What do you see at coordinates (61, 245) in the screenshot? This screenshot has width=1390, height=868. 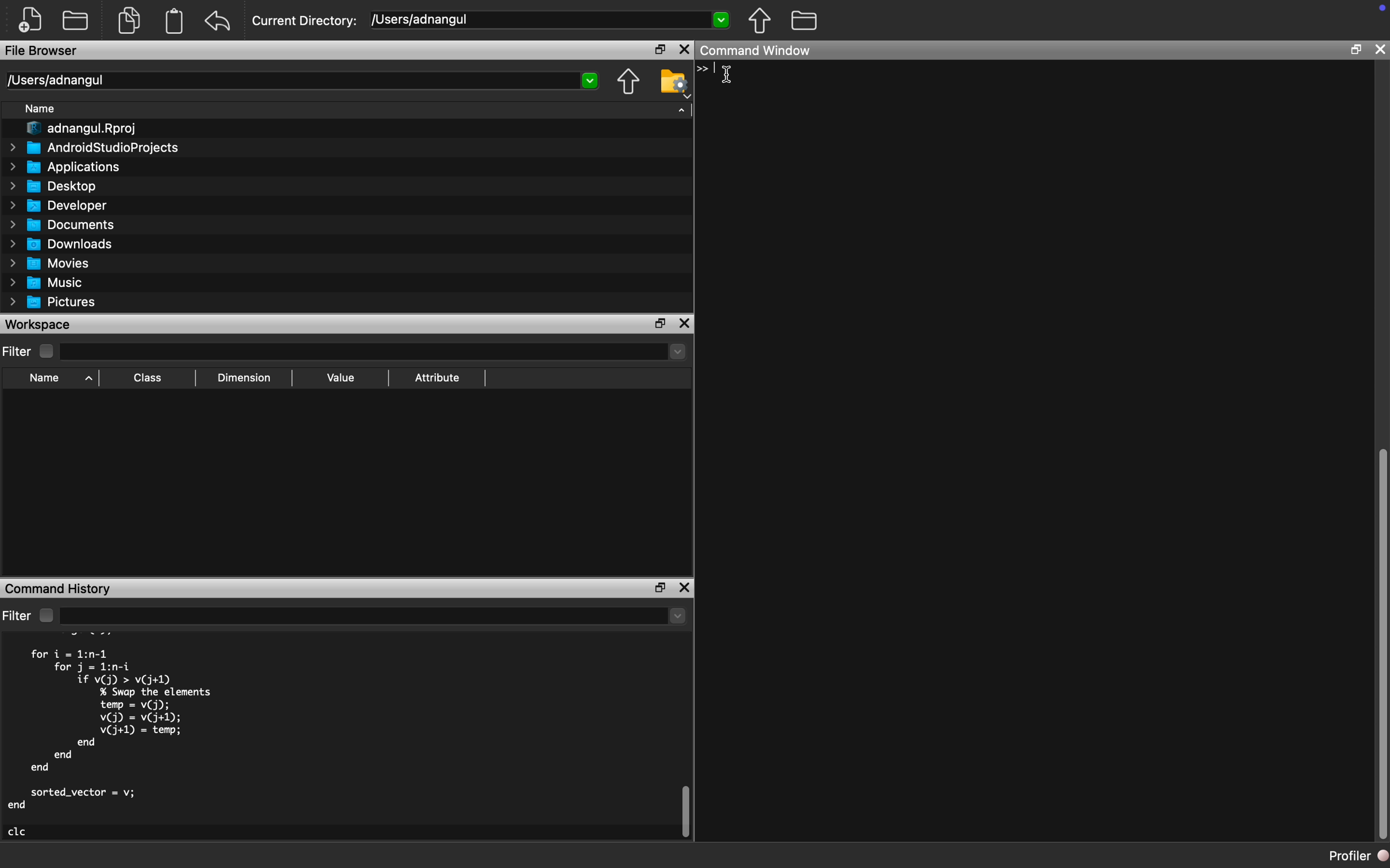 I see `Downloads` at bounding box center [61, 245].